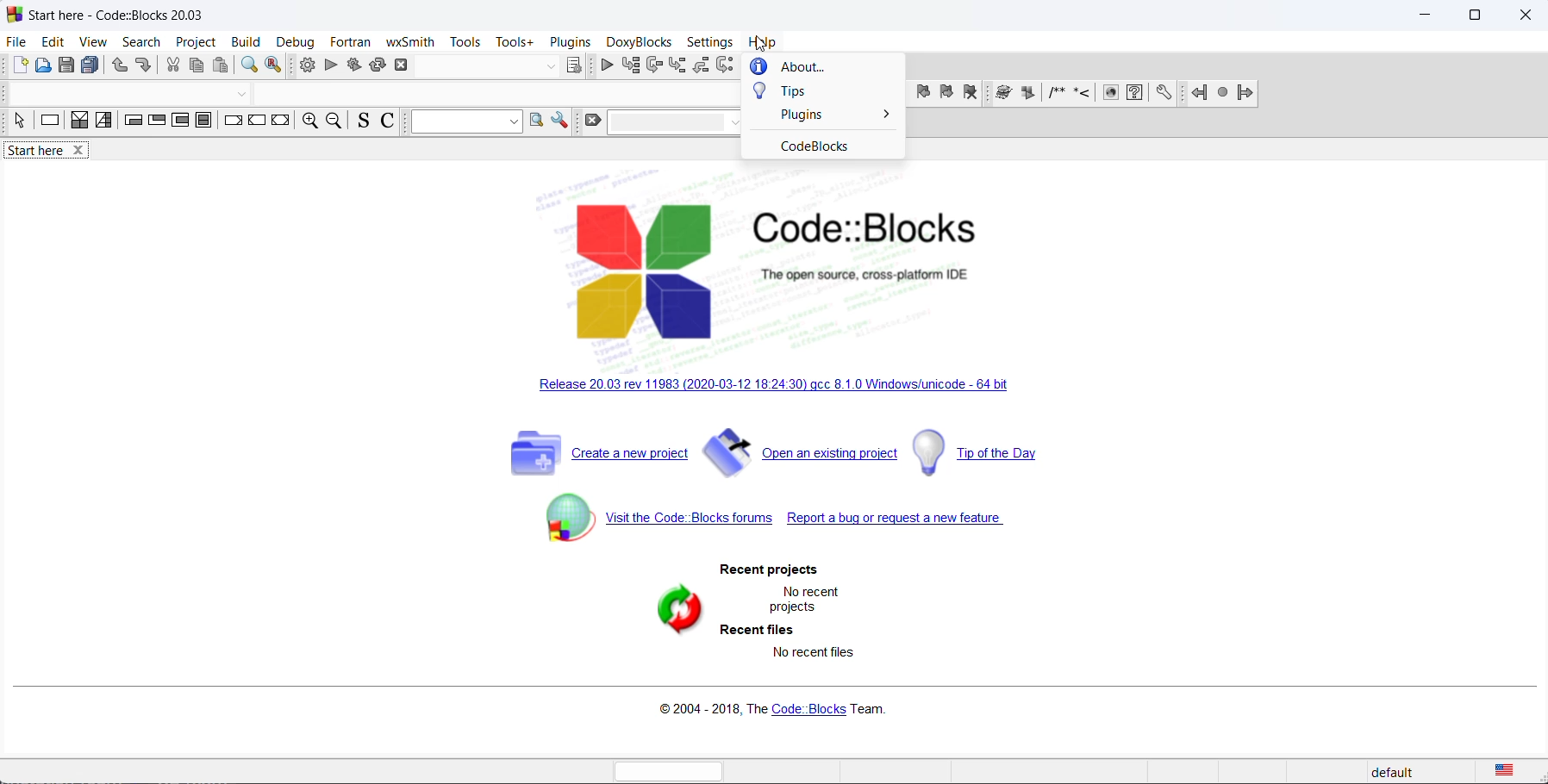  Describe the element at coordinates (222, 66) in the screenshot. I see `paste` at that location.